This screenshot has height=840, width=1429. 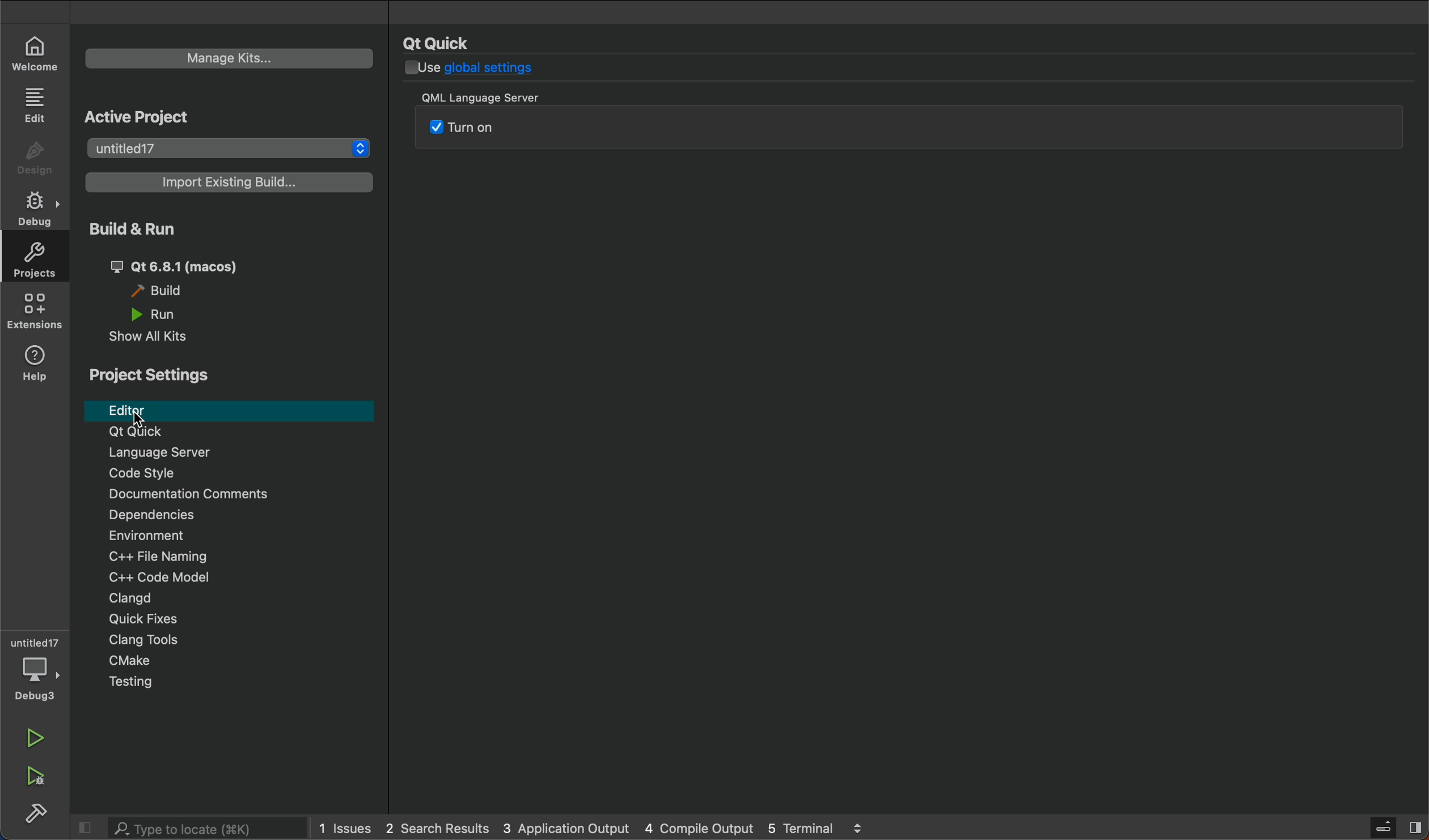 I want to click on QML Language Server, so click(x=492, y=96).